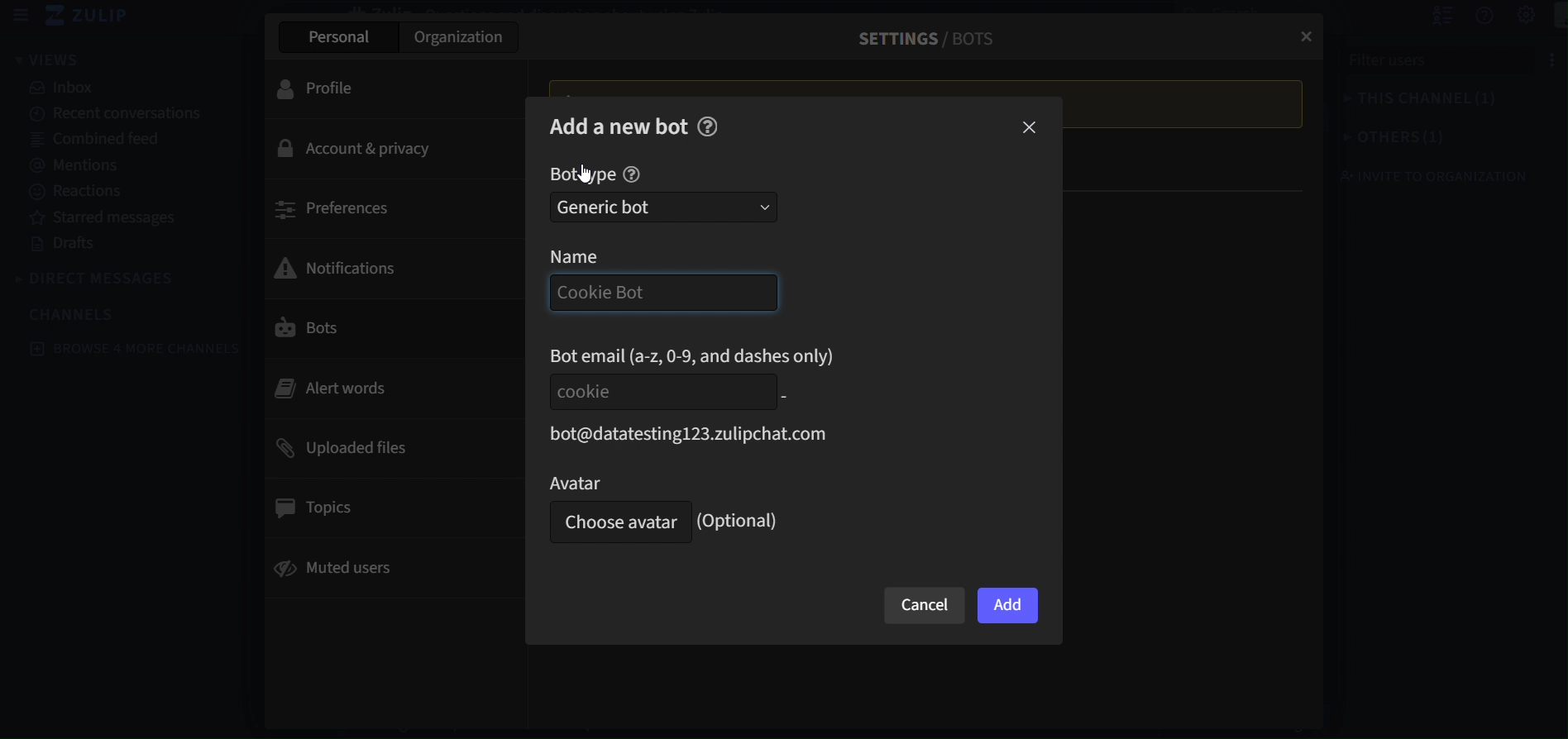 The image size is (1568, 739). What do you see at coordinates (1403, 102) in the screenshot?
I see `this channel(1)` at bounding box center [1403, 102].